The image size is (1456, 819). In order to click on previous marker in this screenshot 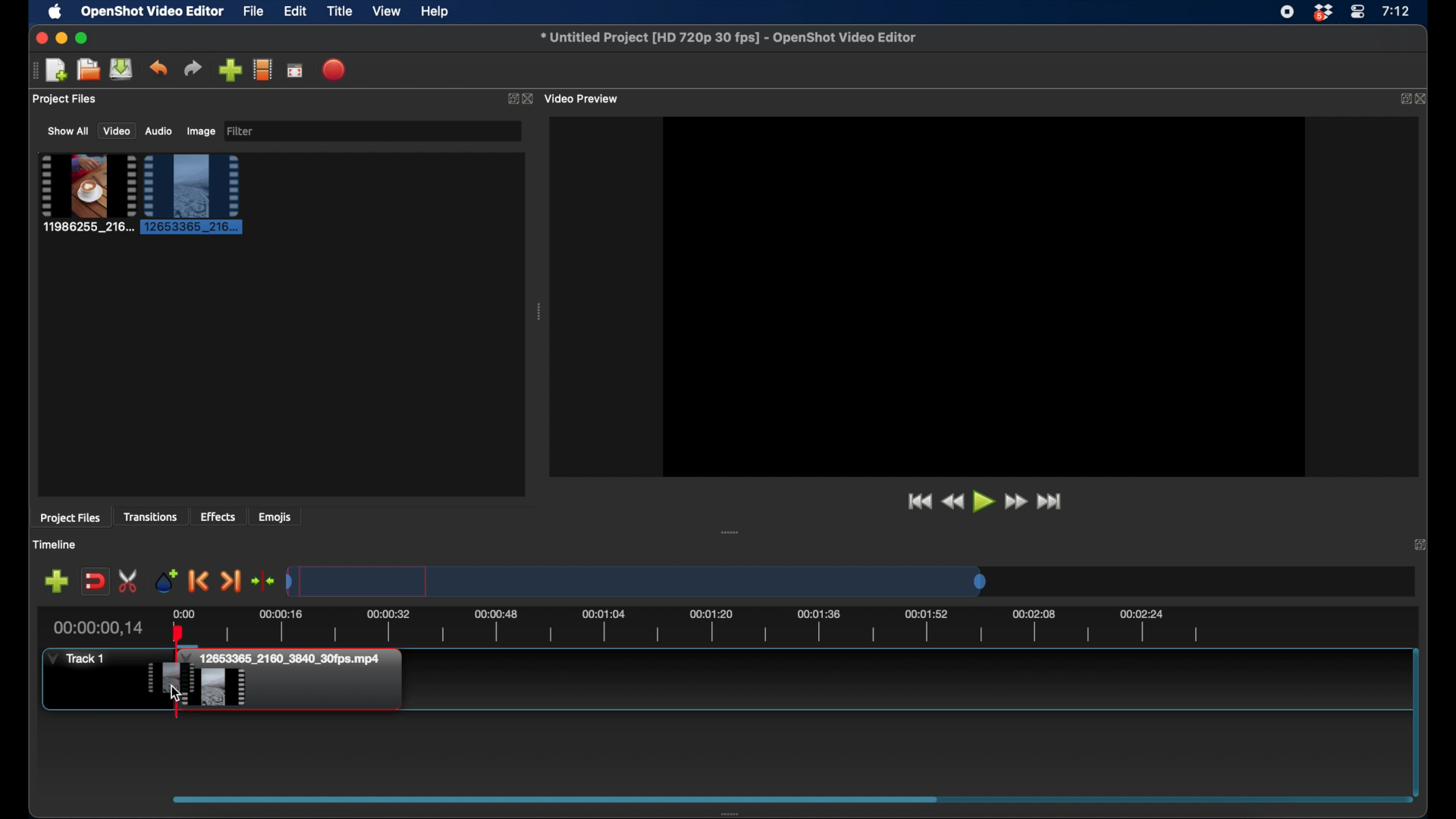, I will do `click(199, 581)`.